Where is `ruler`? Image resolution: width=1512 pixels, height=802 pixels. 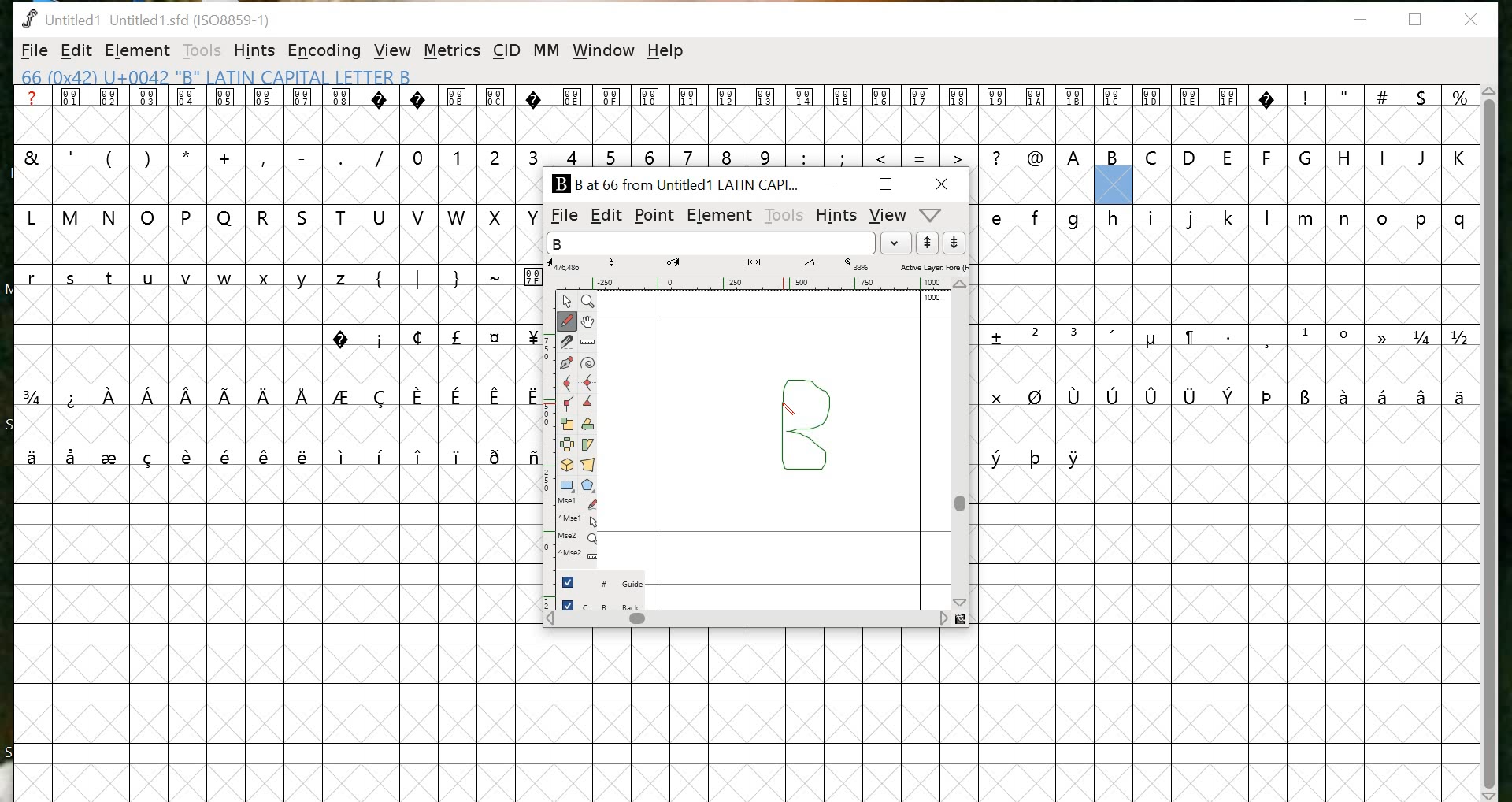
ruler is located at coordinates (547, 451).